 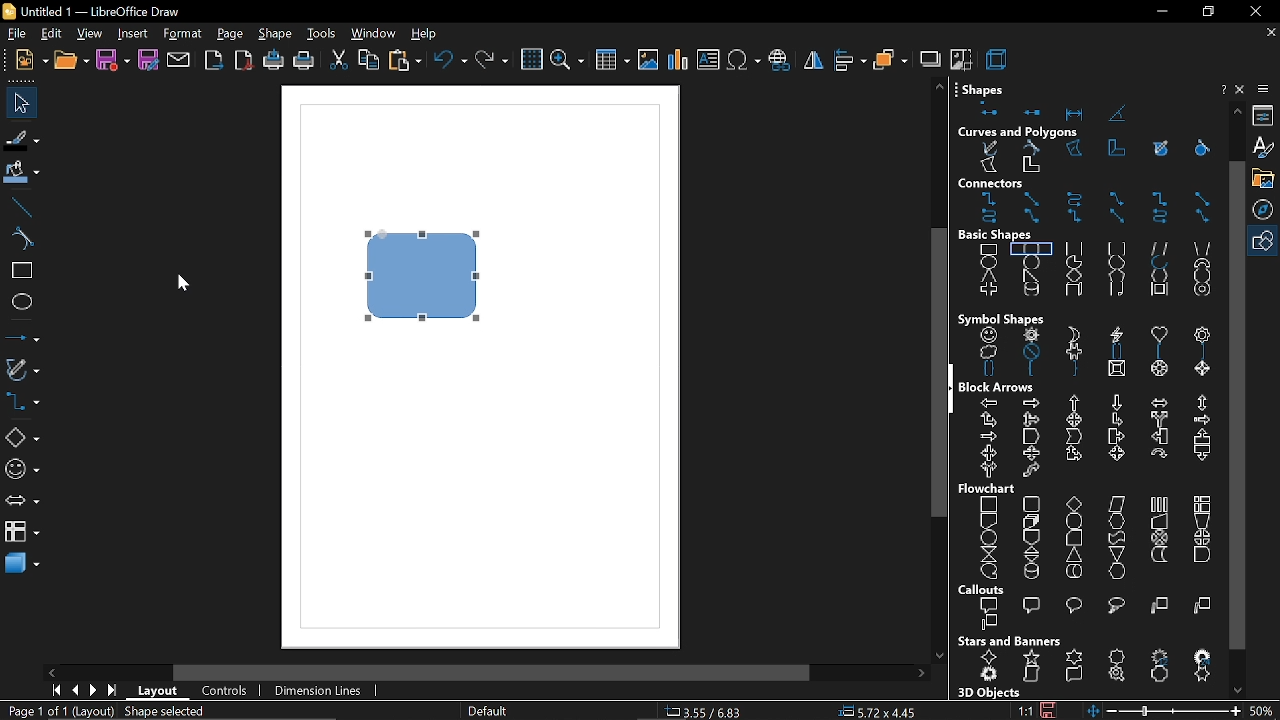 What do you see at coordinates (51, 35) in the screenshot?
I see `edit` at bounding box center [51, 35].